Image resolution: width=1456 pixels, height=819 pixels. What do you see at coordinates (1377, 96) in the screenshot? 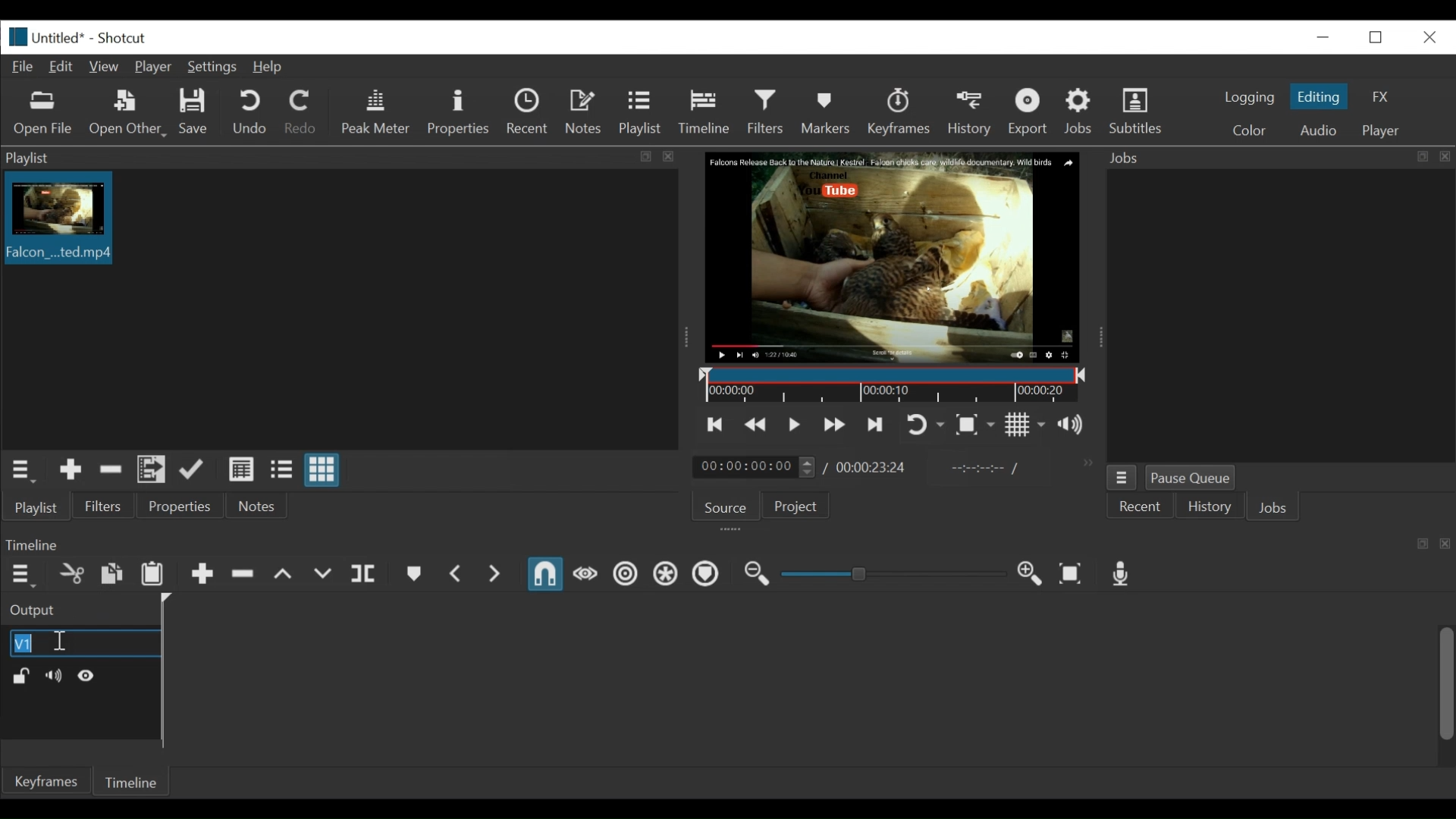
I see `FX` at bounding box center [1377, 96].